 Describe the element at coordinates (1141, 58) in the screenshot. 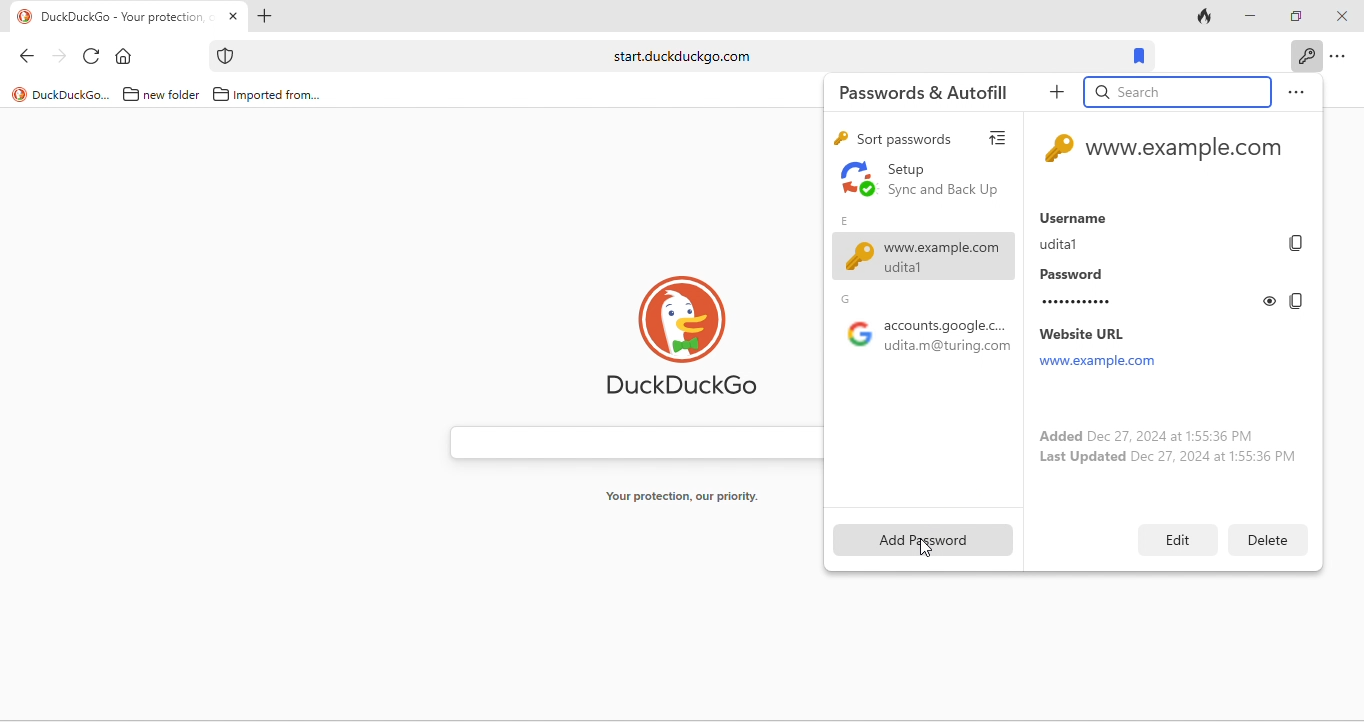

I see `bookmarks` at that location.